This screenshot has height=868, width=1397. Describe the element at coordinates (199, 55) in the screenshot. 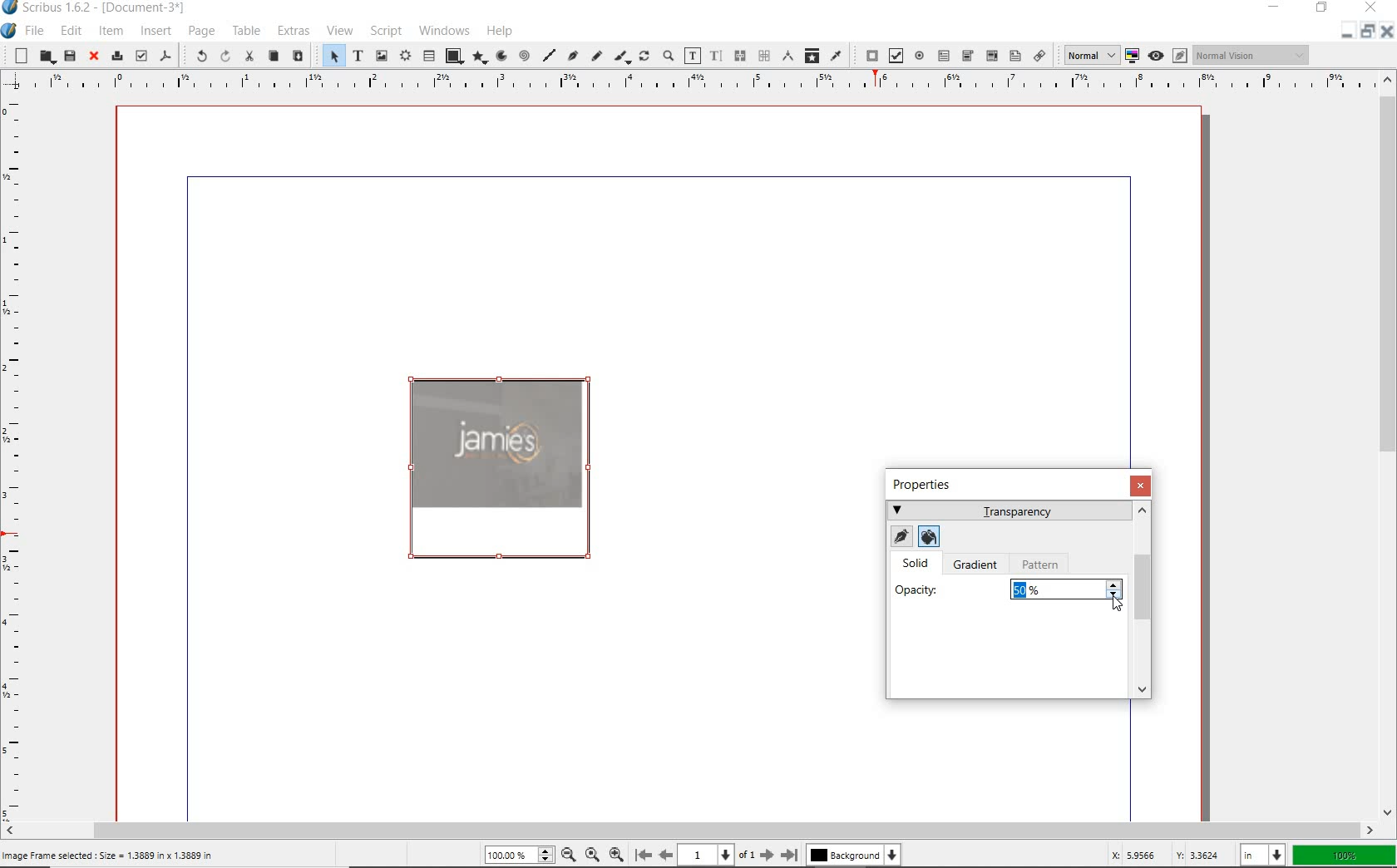

I see `UNDO` at that location.